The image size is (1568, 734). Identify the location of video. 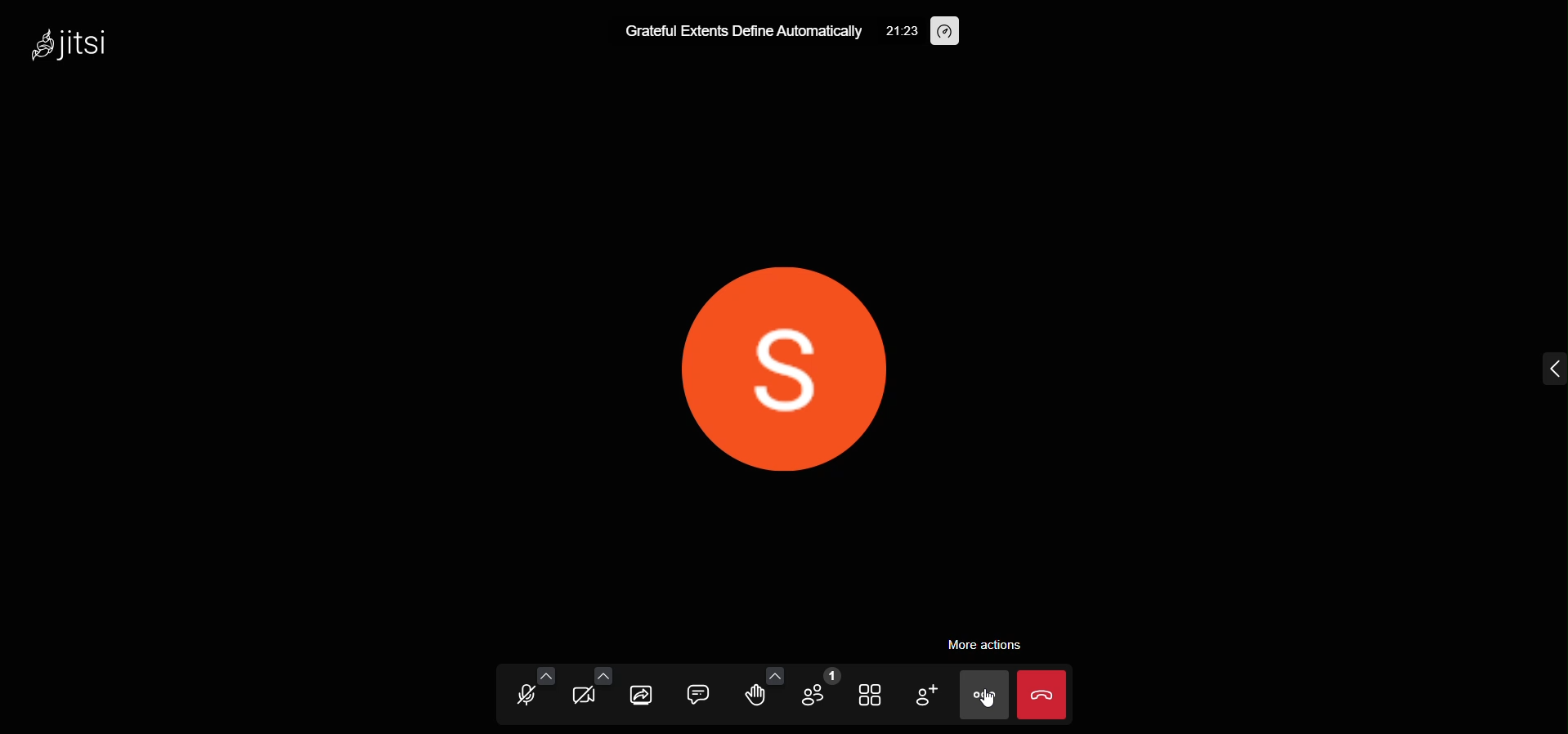
(582, 696).